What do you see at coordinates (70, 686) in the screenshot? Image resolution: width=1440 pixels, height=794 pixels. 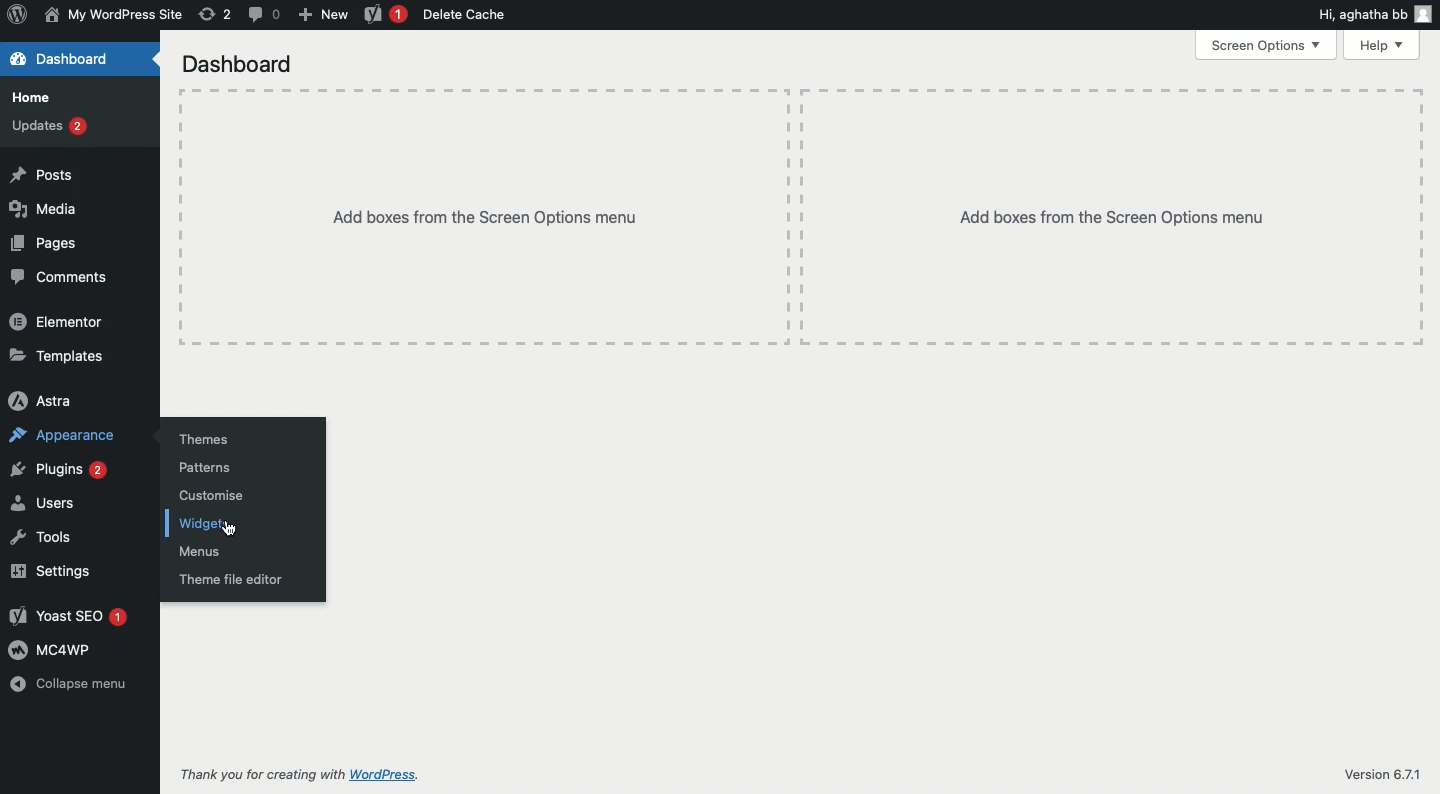 I see `Collapse menu` at bounding box center [70, 686].